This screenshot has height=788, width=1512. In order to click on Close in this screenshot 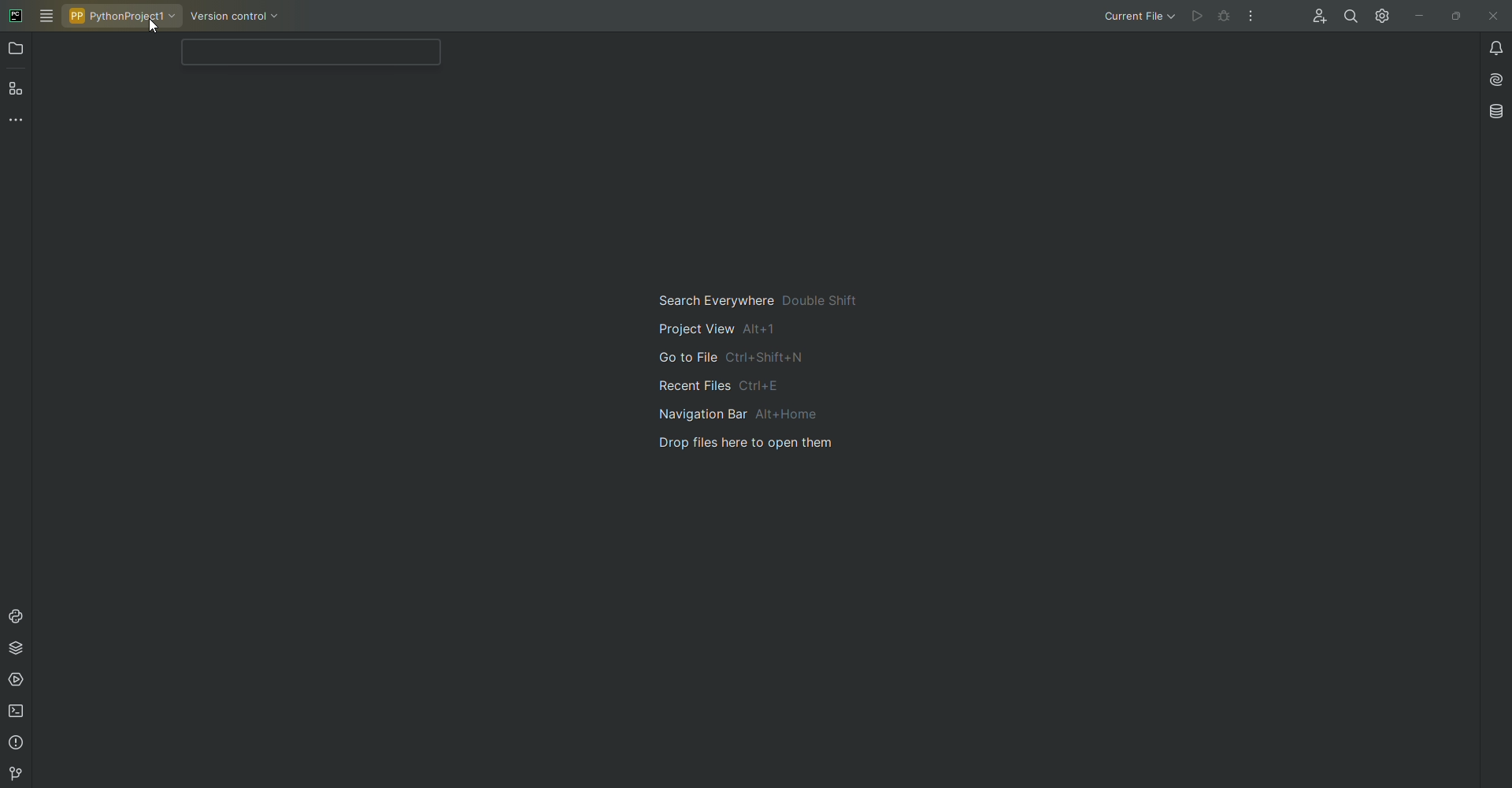, I will do `click(1492, 16)`.